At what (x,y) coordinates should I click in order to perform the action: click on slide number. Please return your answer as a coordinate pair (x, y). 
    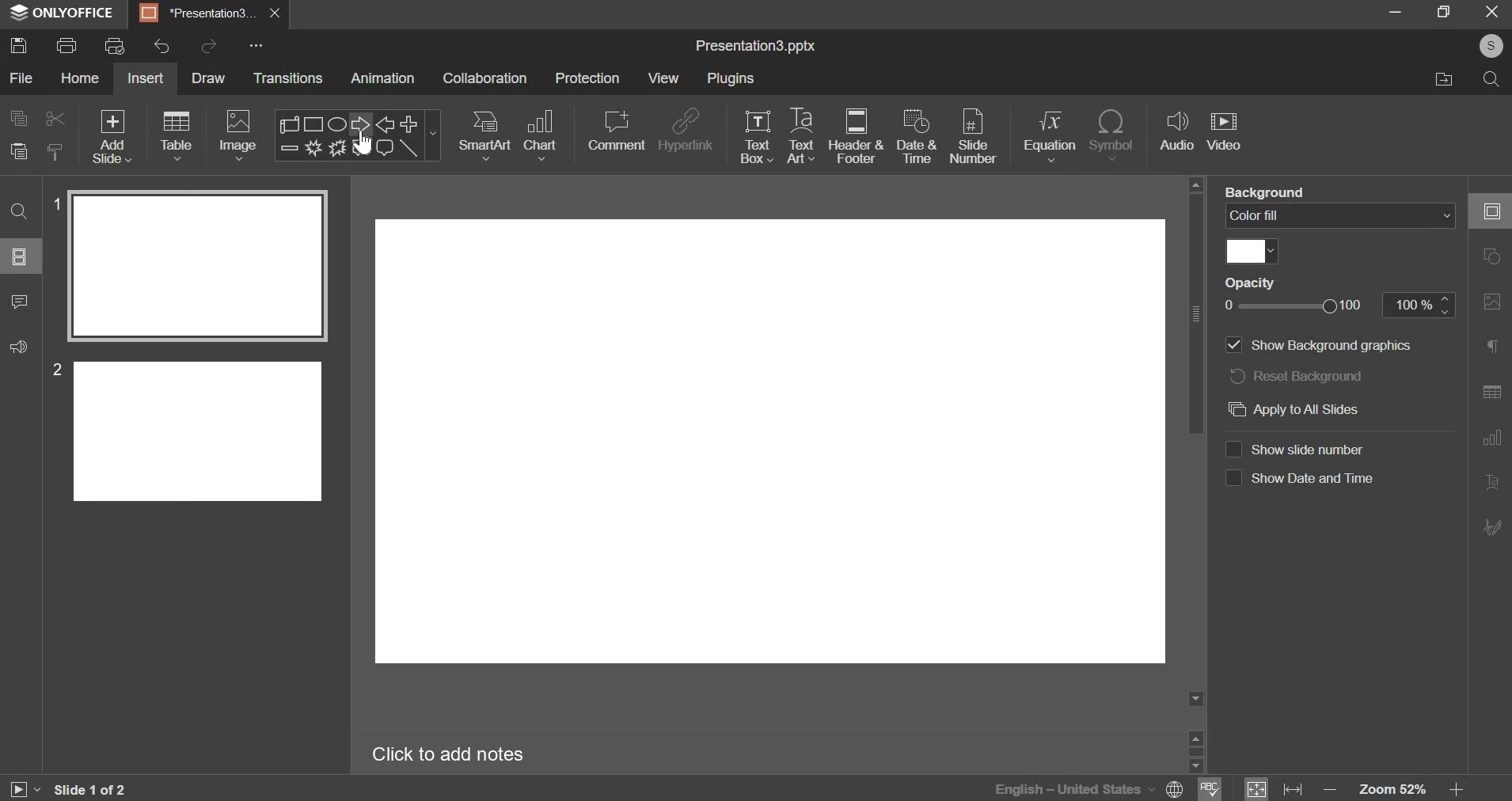
    Looking at the image, I should click on (53, 369).